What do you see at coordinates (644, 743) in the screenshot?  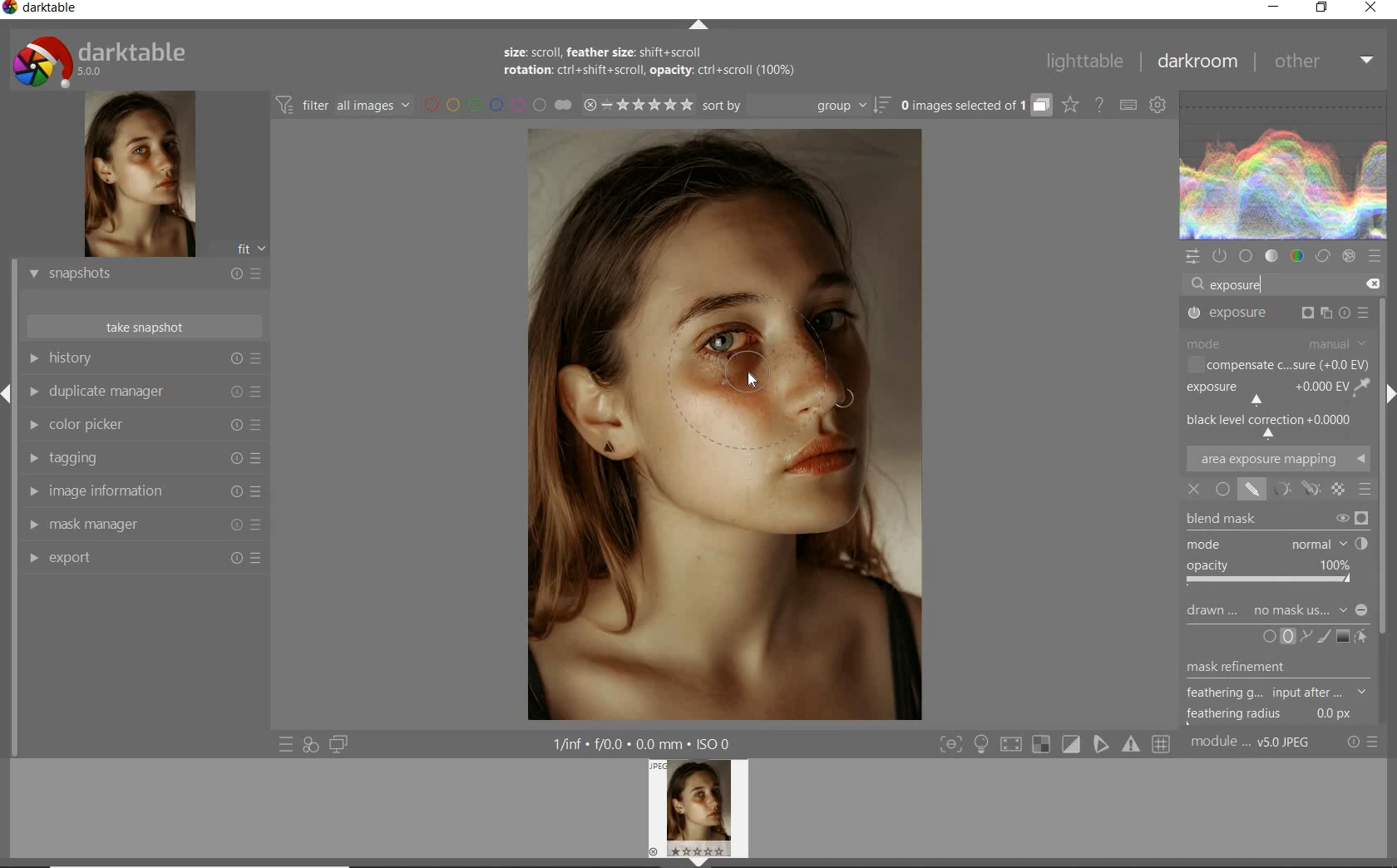 I see `other display information` at bounding box center [644, 743].